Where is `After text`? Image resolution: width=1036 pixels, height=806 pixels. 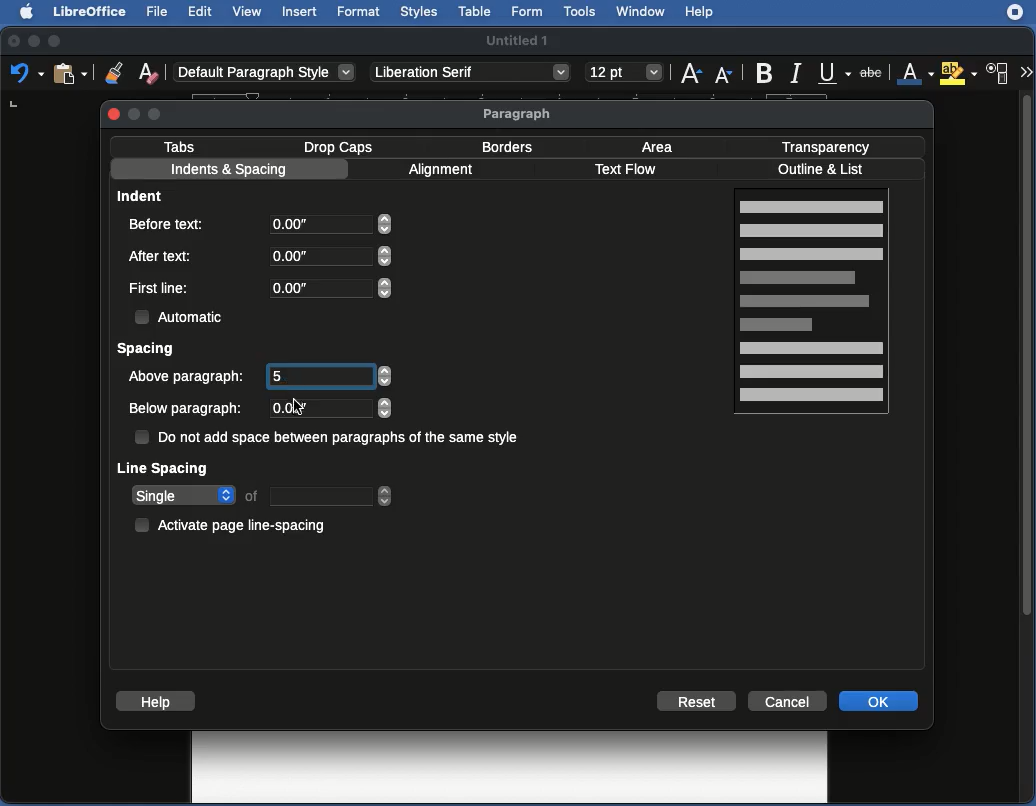
After text is located at coordinates (164, 255).